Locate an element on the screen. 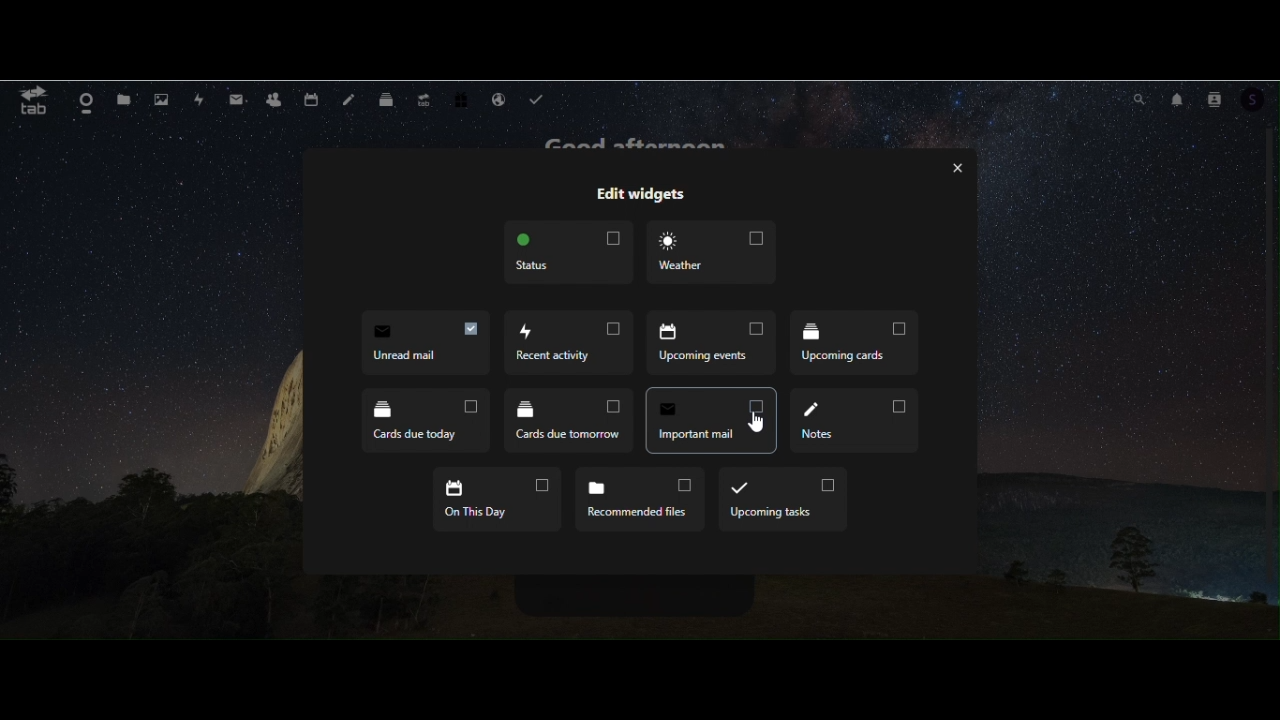 Image resolution: width=1280 pixels, height=720 pixels. Weather is located at coordinates (714, 254).